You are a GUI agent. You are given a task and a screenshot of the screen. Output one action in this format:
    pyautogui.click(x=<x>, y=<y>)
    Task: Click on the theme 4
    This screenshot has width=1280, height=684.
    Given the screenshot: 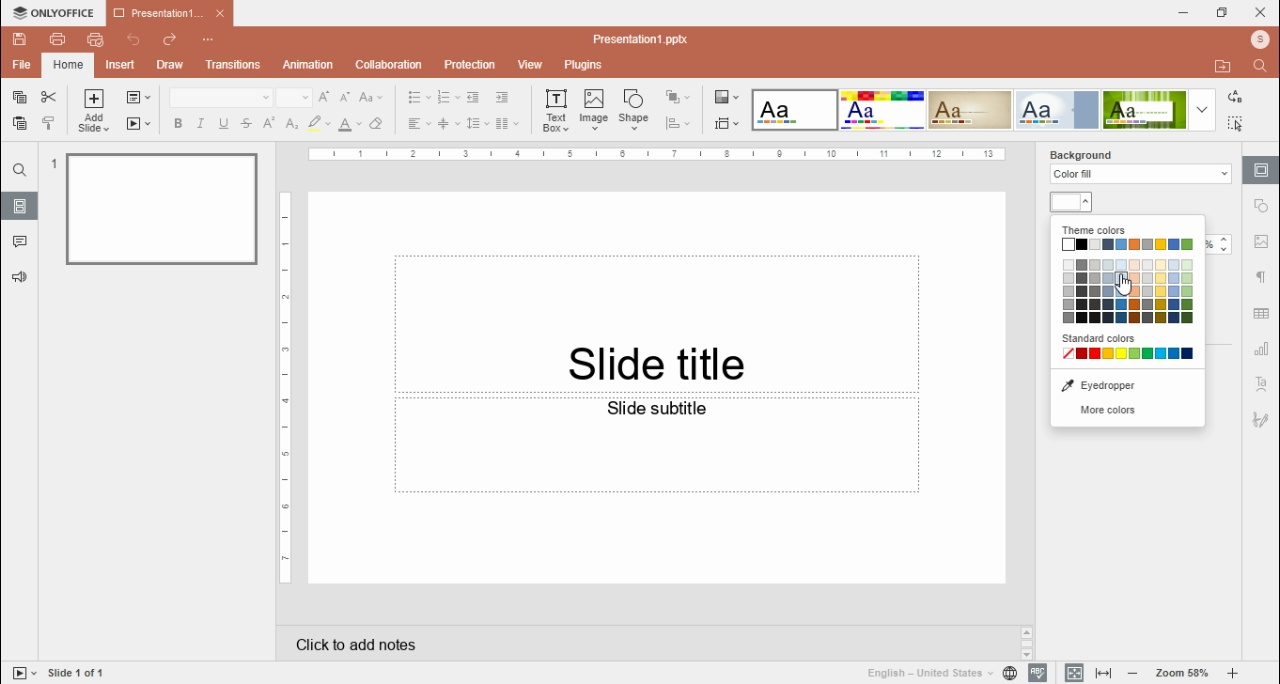 What is the action you would take?
    pyautogui.click(x=1056, y=111)
    